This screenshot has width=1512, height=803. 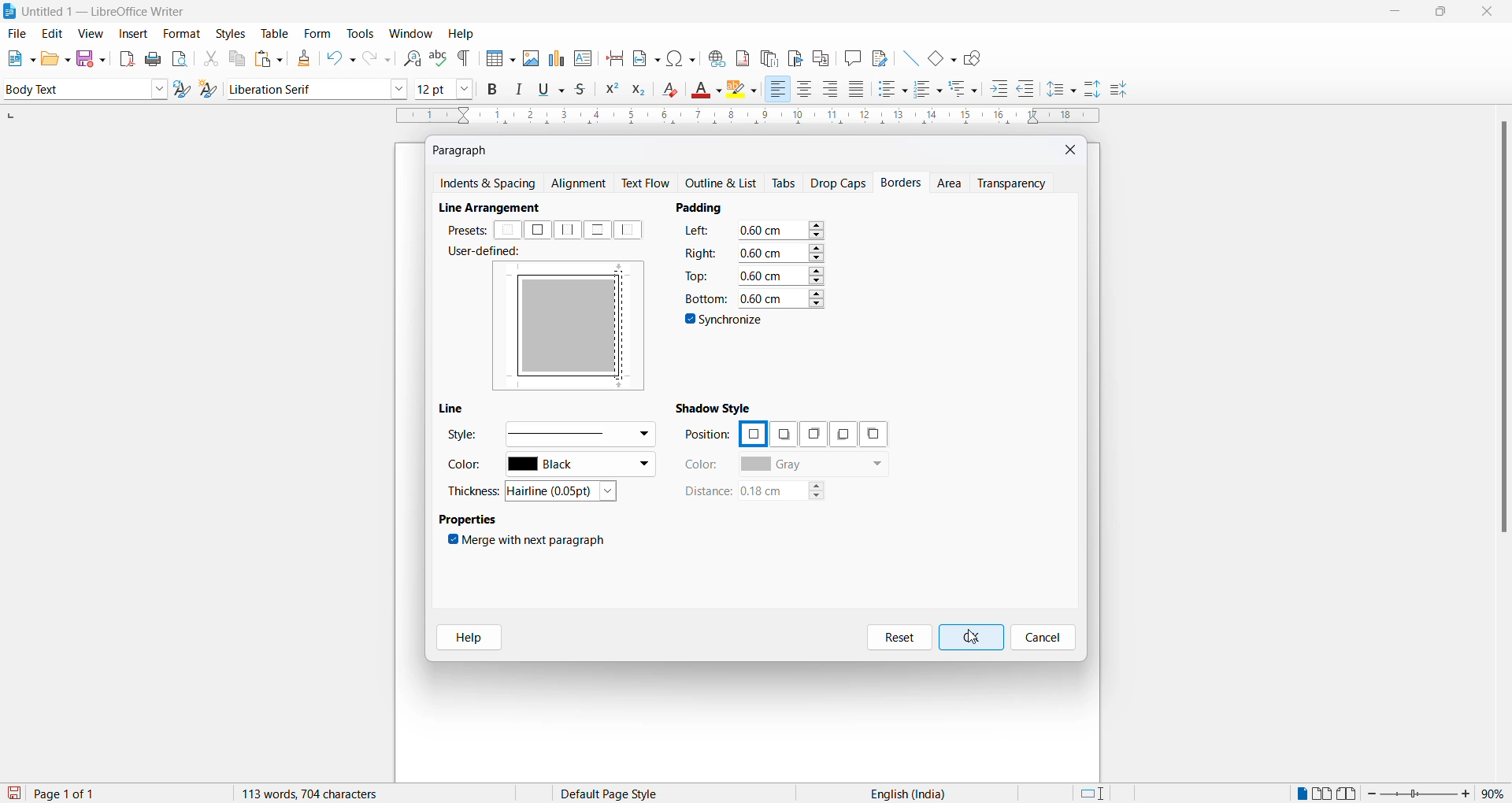 I want to click on tabs, so click(x=785, y=183).